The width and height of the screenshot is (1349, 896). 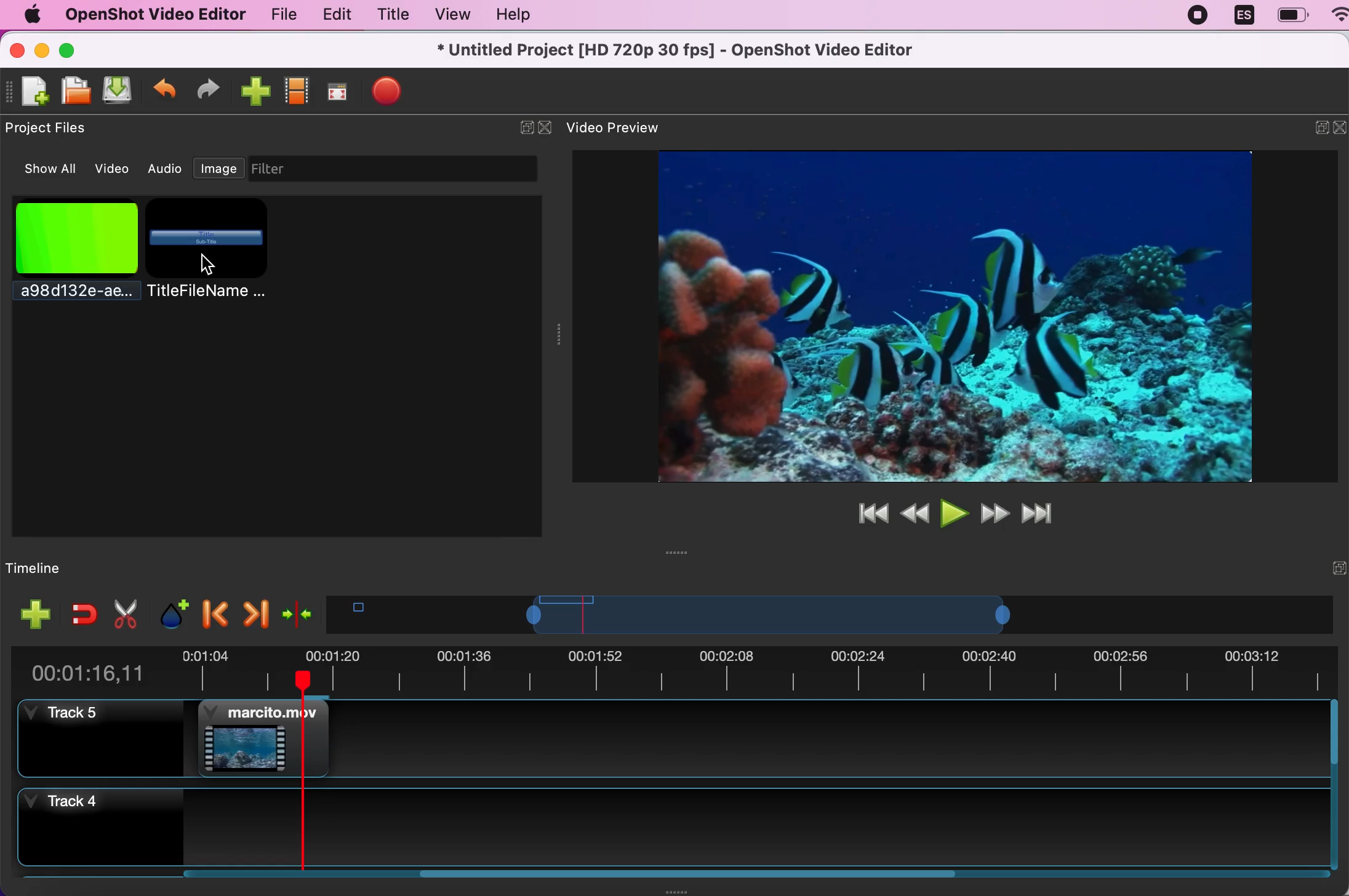 What do you see at coordinates (42, 49) in the screenshot?
I see `minimize` at bounding box center [42, 49].